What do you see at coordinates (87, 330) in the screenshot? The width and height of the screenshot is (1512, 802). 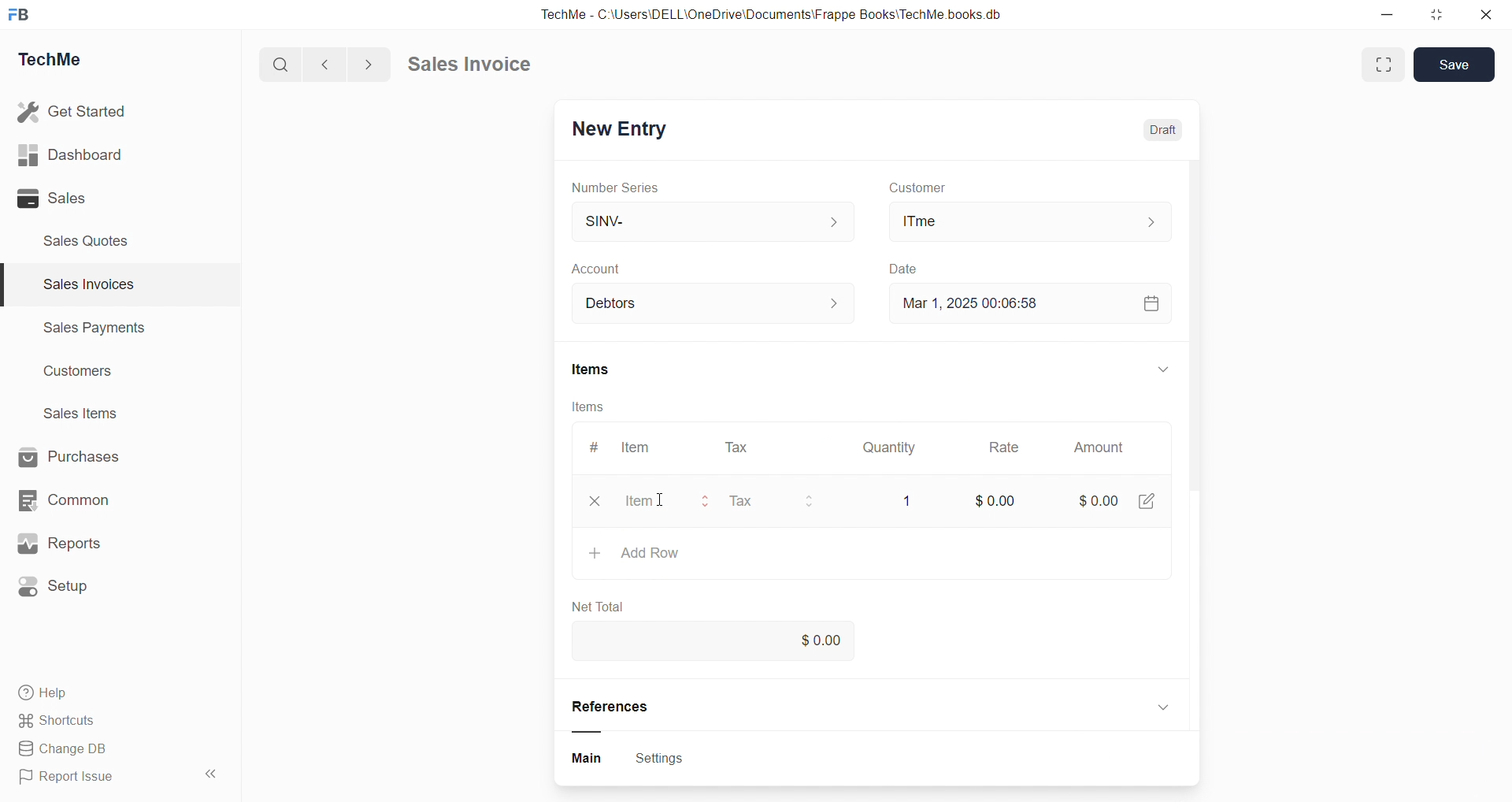 I see `Sales Payments` at bounding box center [87, 330].